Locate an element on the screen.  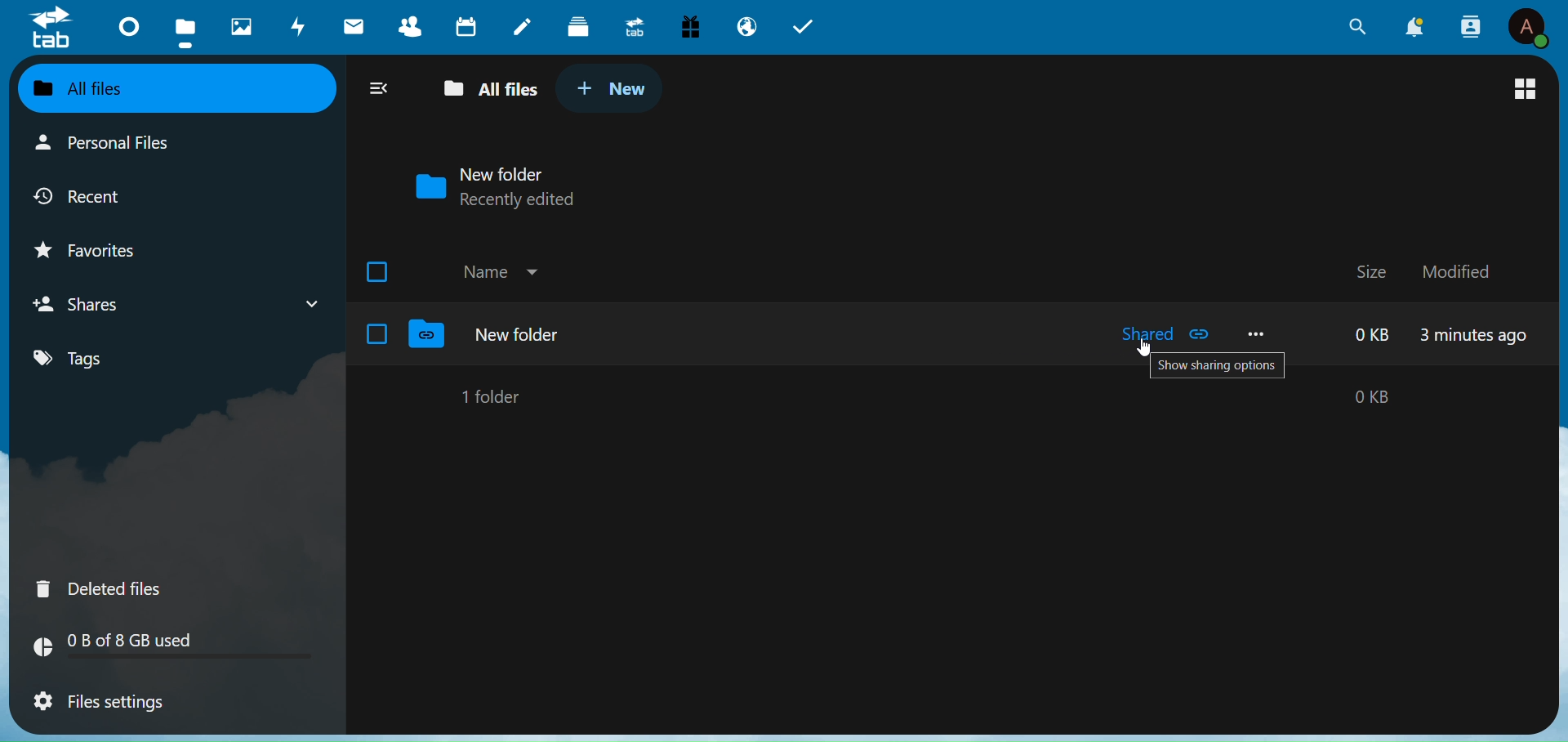
Shared is located at coordinates (1131, 334).